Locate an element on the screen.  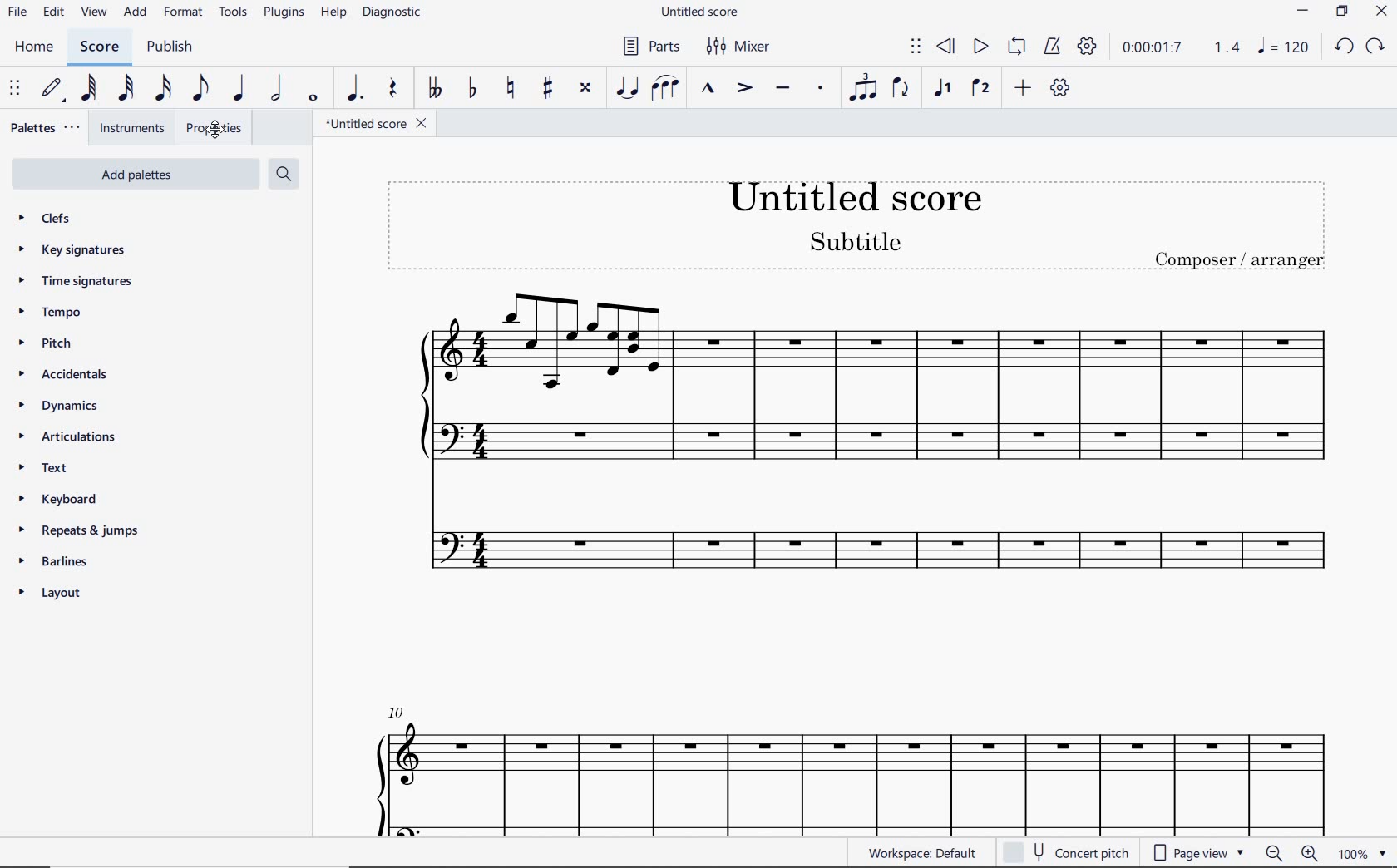
PUBLISH is located at coordinates (170, 47).